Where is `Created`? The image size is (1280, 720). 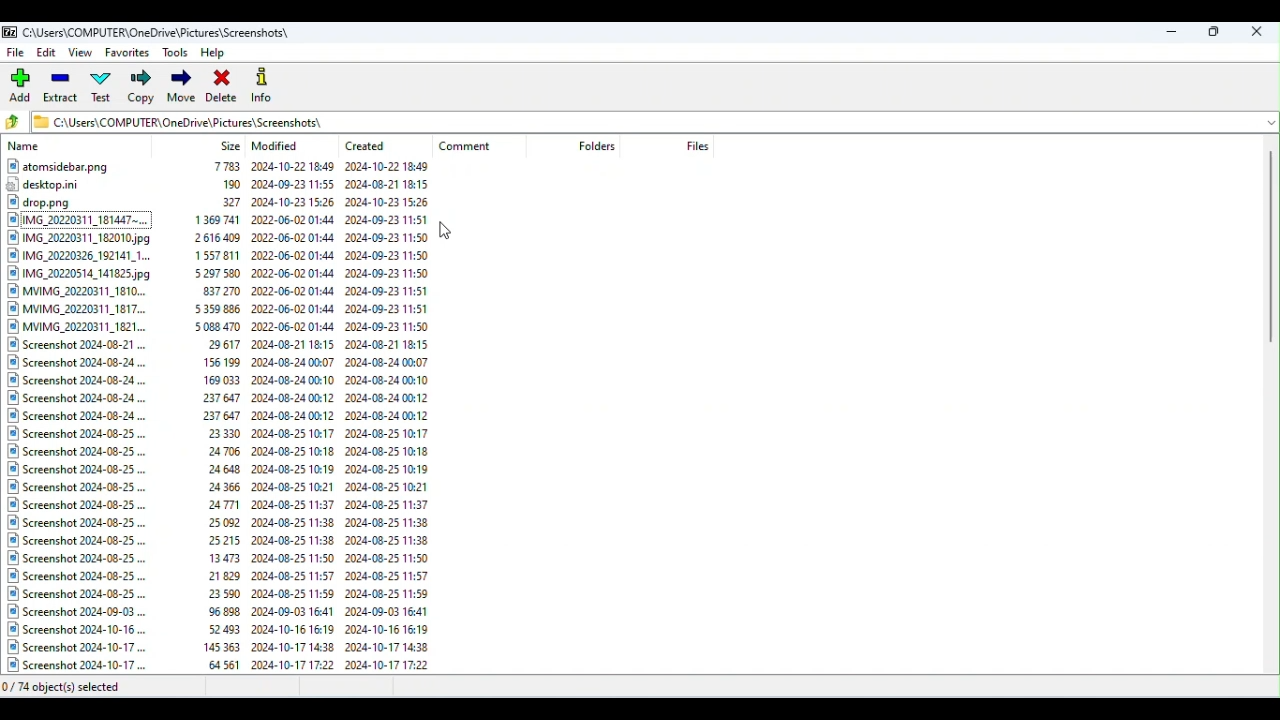 Created is located at coordinates (372, 142).